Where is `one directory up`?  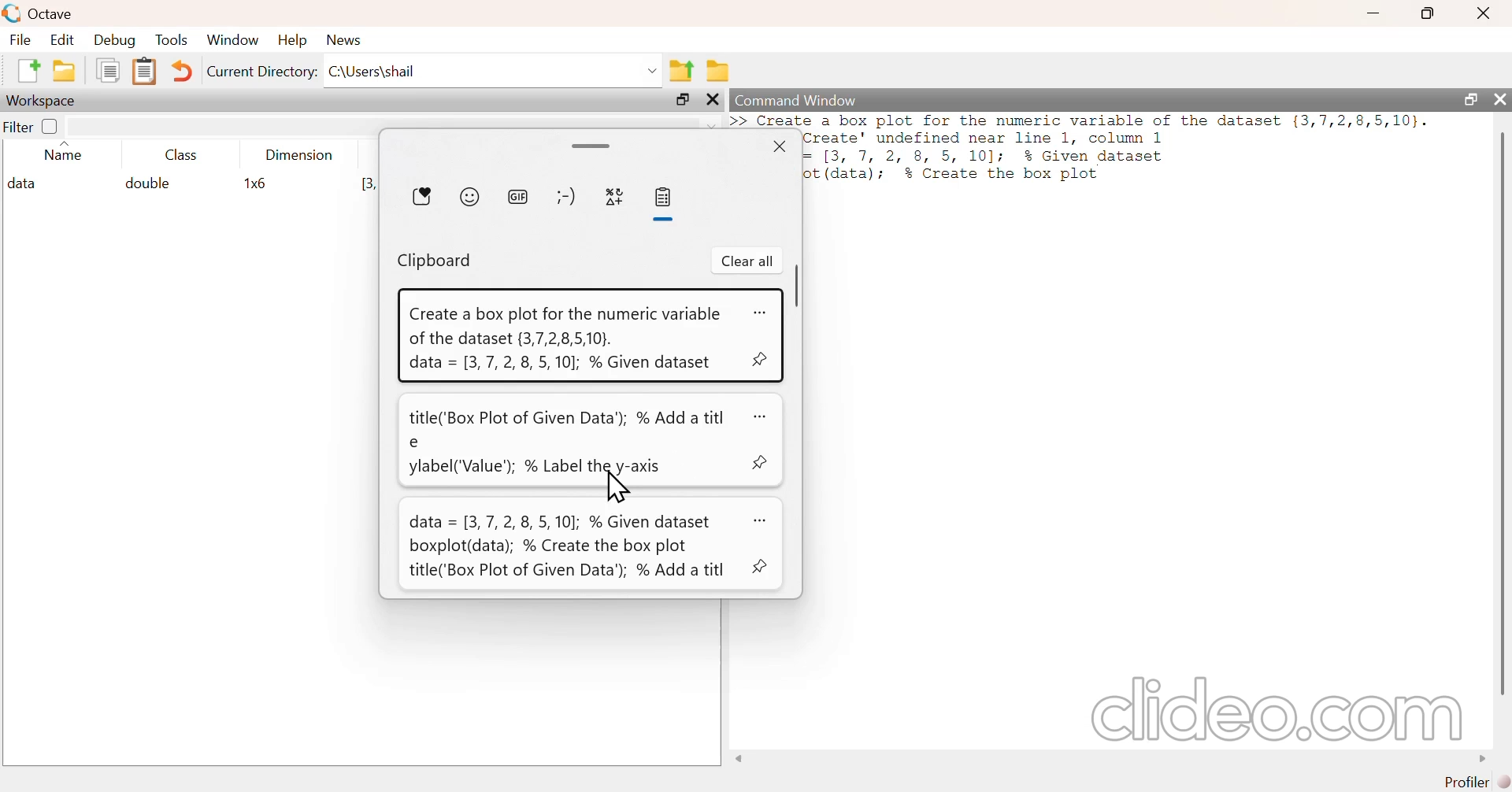
one directory up is located at coordinates (682, 69).